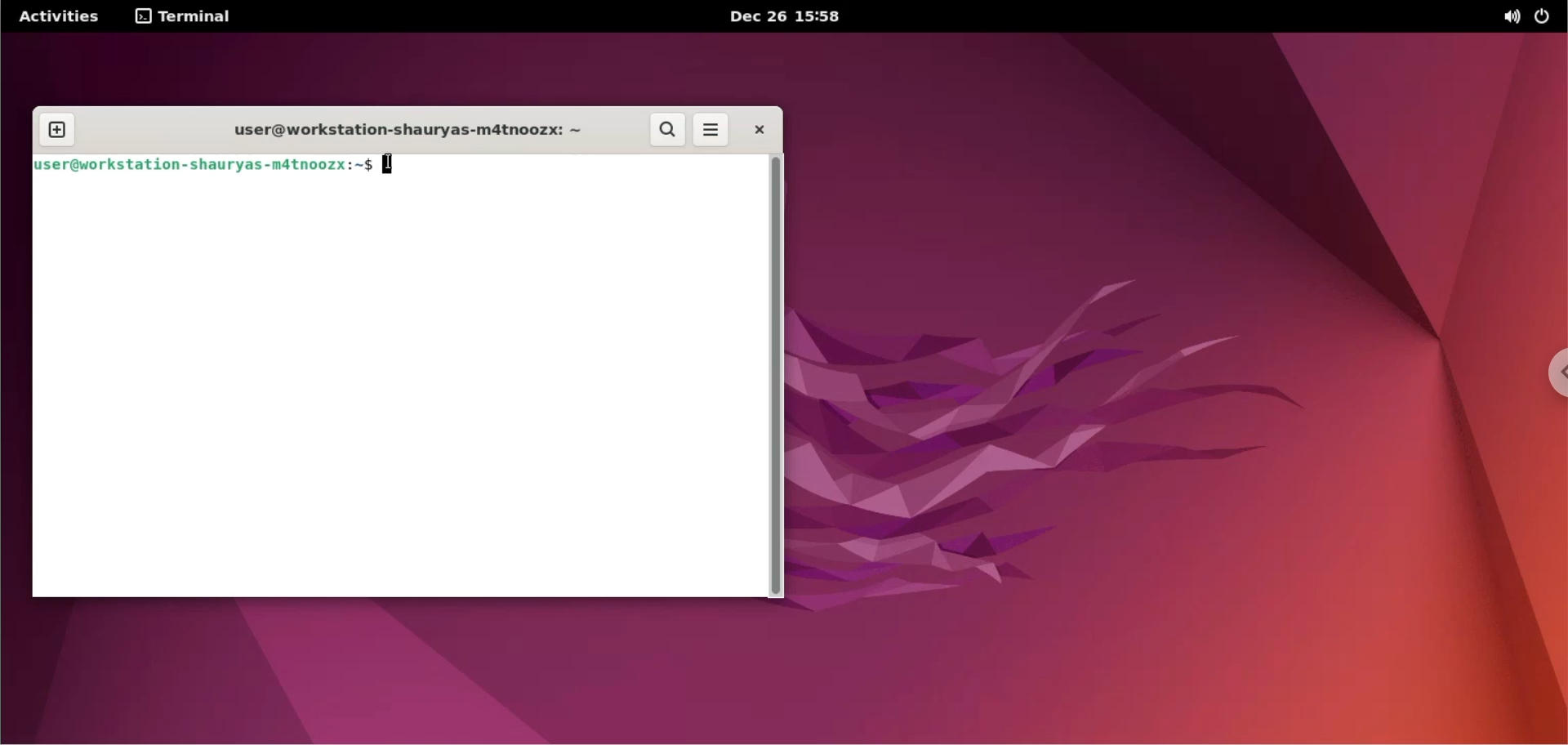 The width and height of the screenshot is (1568, 745). I want to click on search, so click(669, 131).